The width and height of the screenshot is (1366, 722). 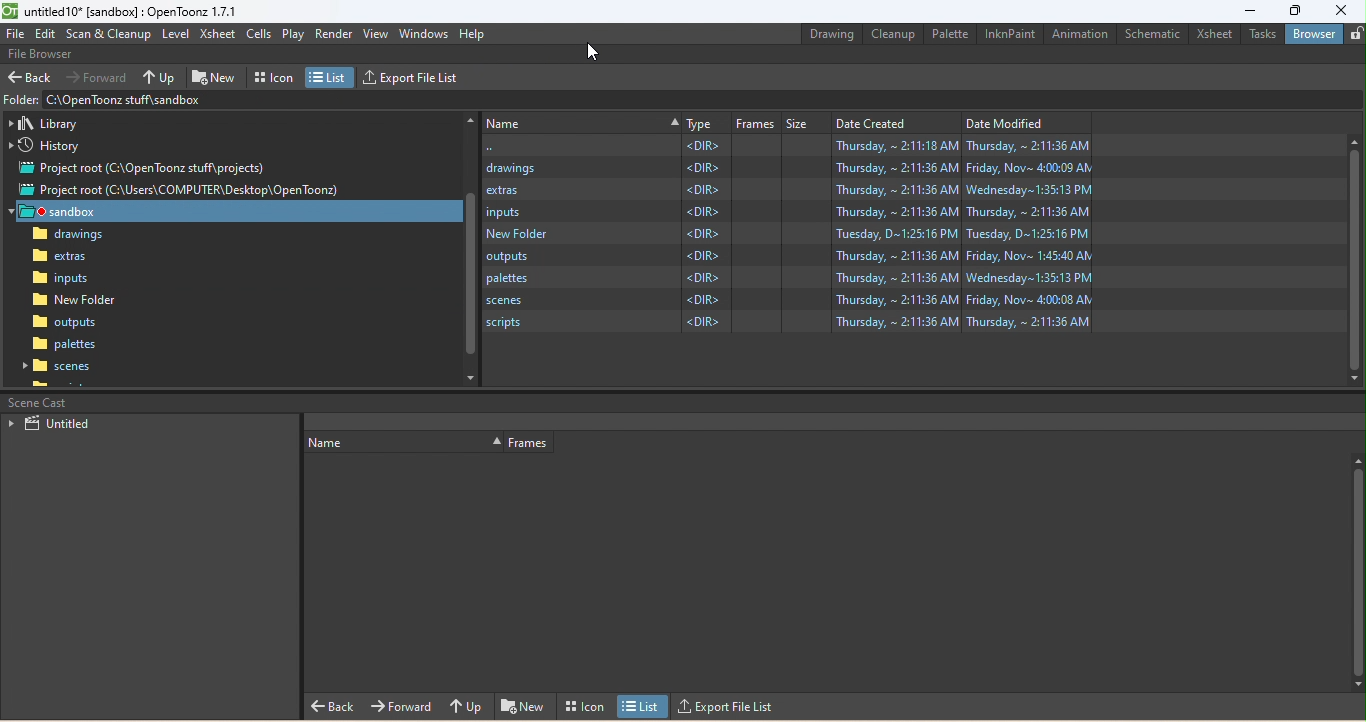 What do you see at coordinates (62, 301) in the screenshot?
I see `New folder` at bounding box center [62, 301].